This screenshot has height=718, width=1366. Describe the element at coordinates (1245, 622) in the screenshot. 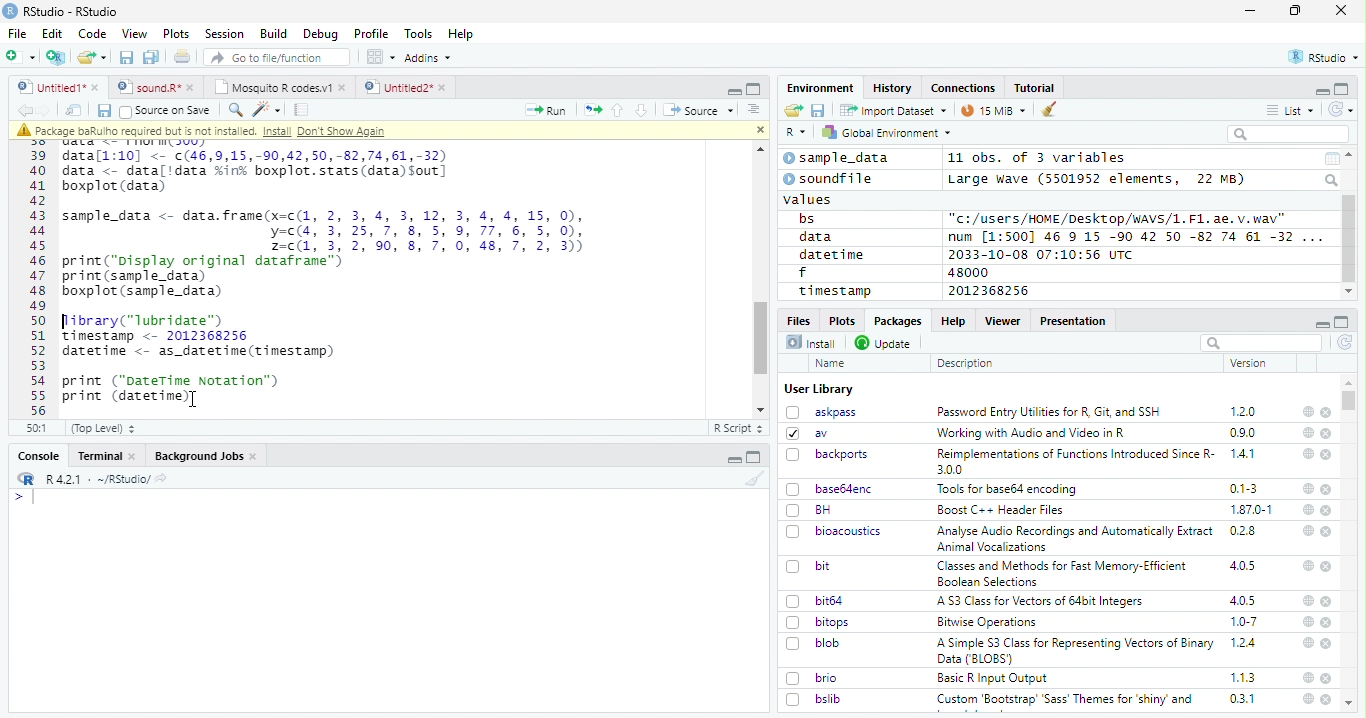

I see `1.0-7` at that location.